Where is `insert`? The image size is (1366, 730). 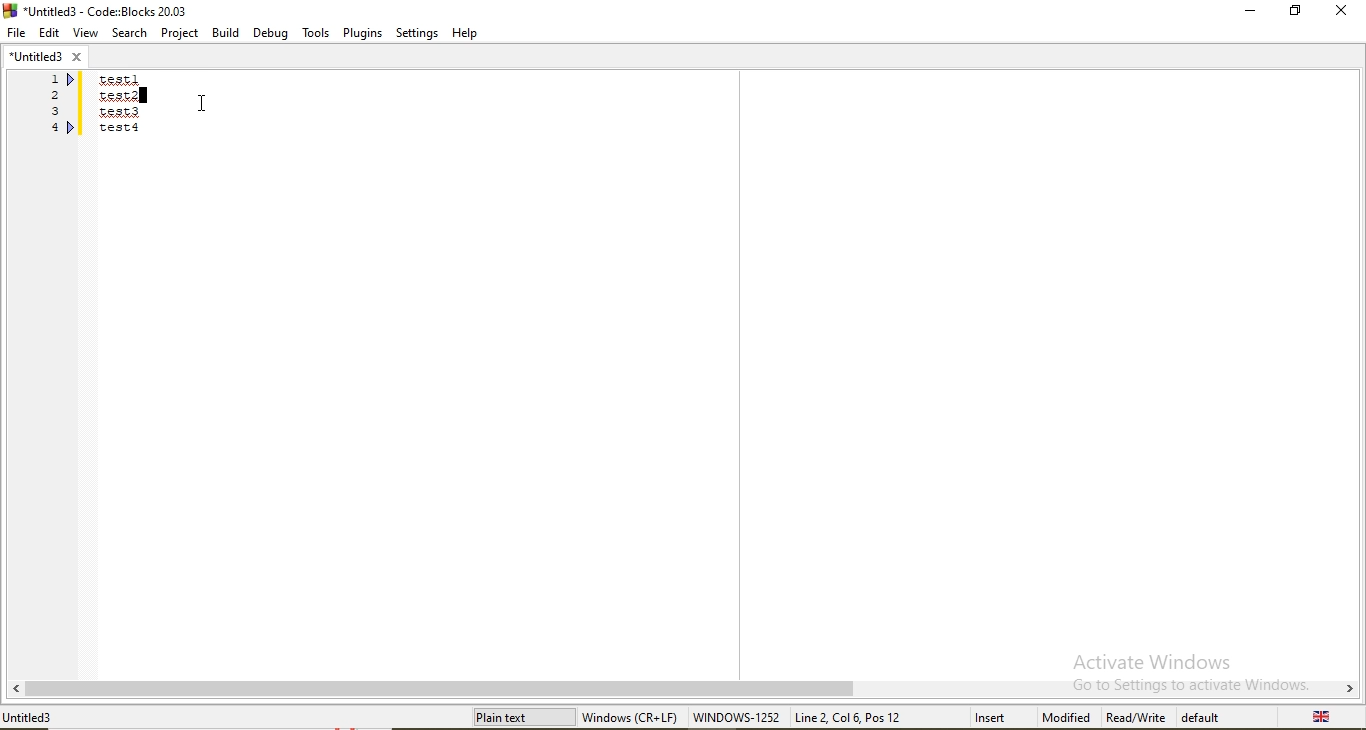 insert is located at coordinates (992, 715).